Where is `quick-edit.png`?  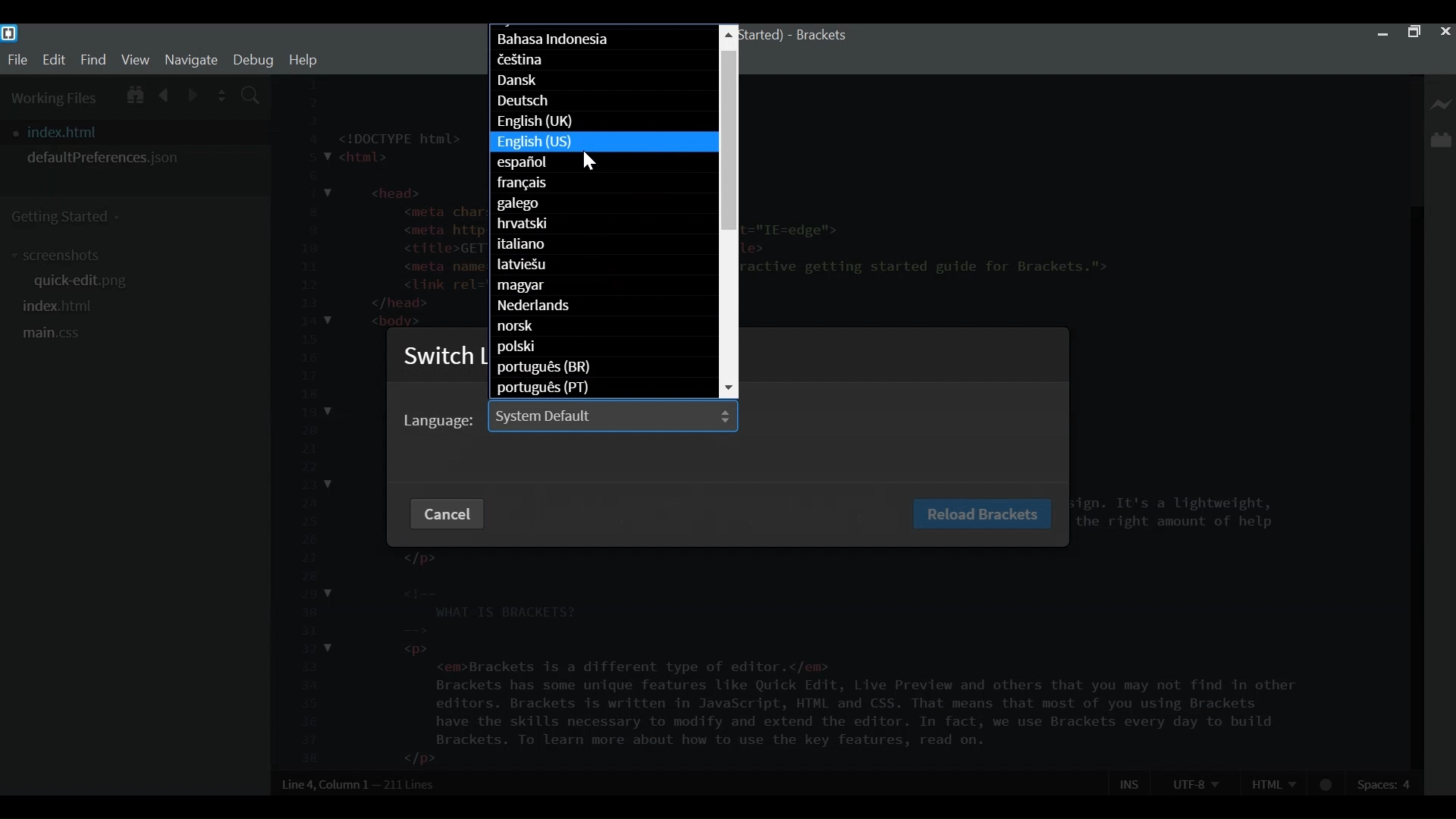
quick-edit.png is located at coordinates (87, 283).